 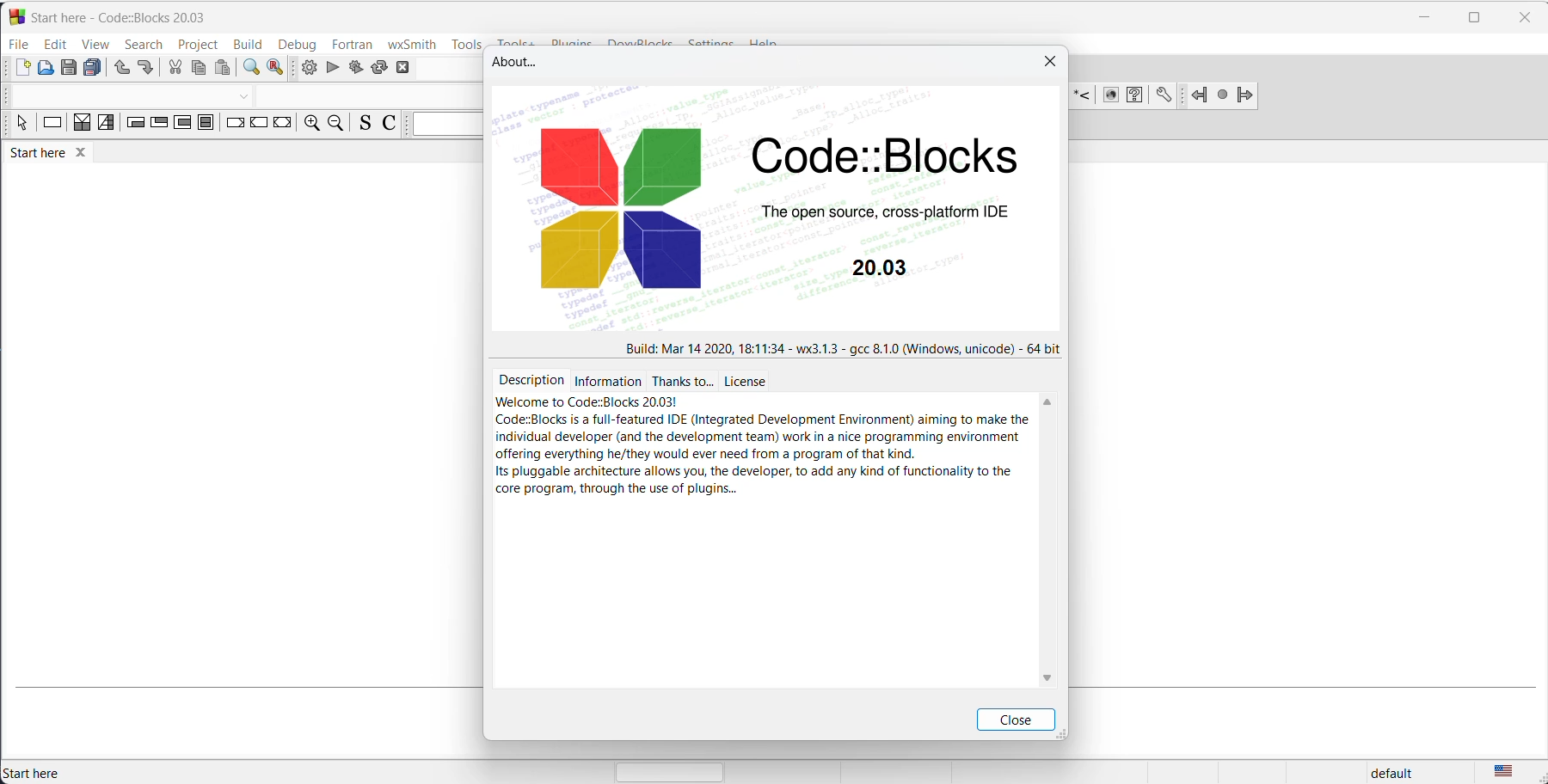 I want to click on about , so click(x=523, y=63).